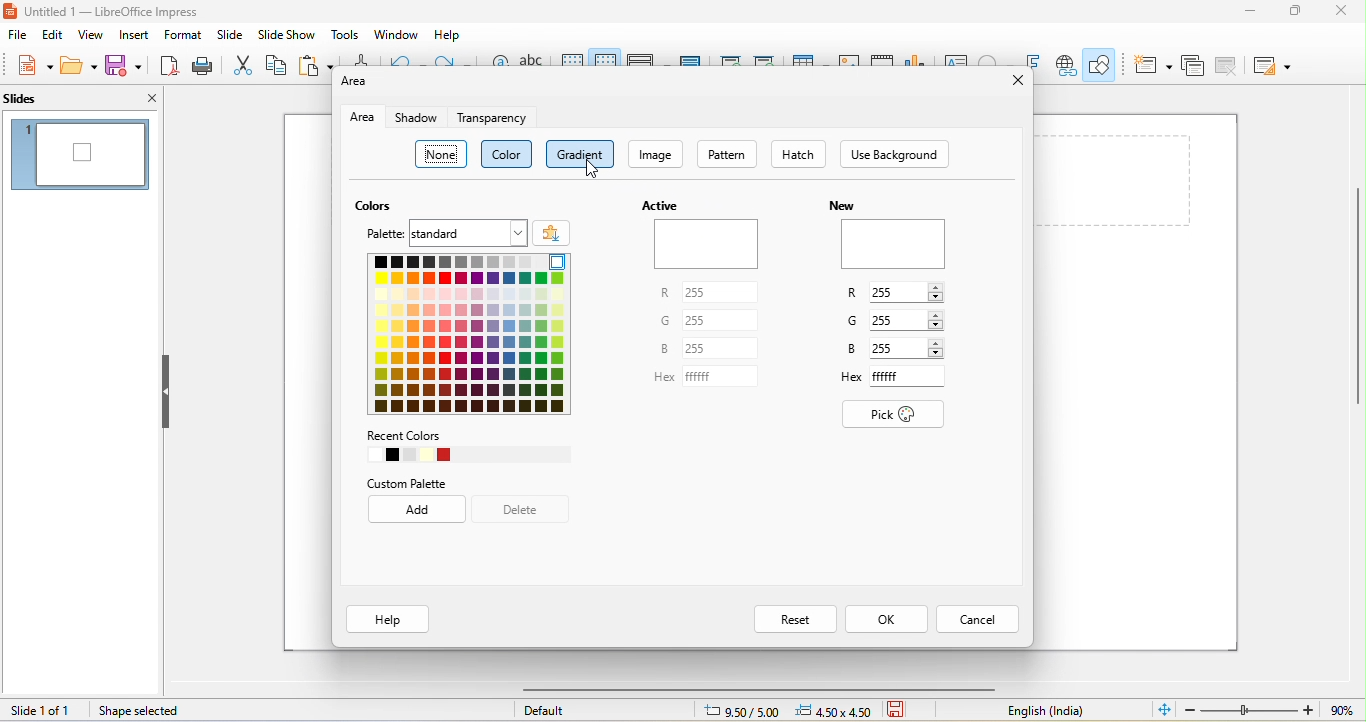  What do you see at coordinates (798, 154) in the screenshot?
I see `hatch` at bounding box center [798, 154].